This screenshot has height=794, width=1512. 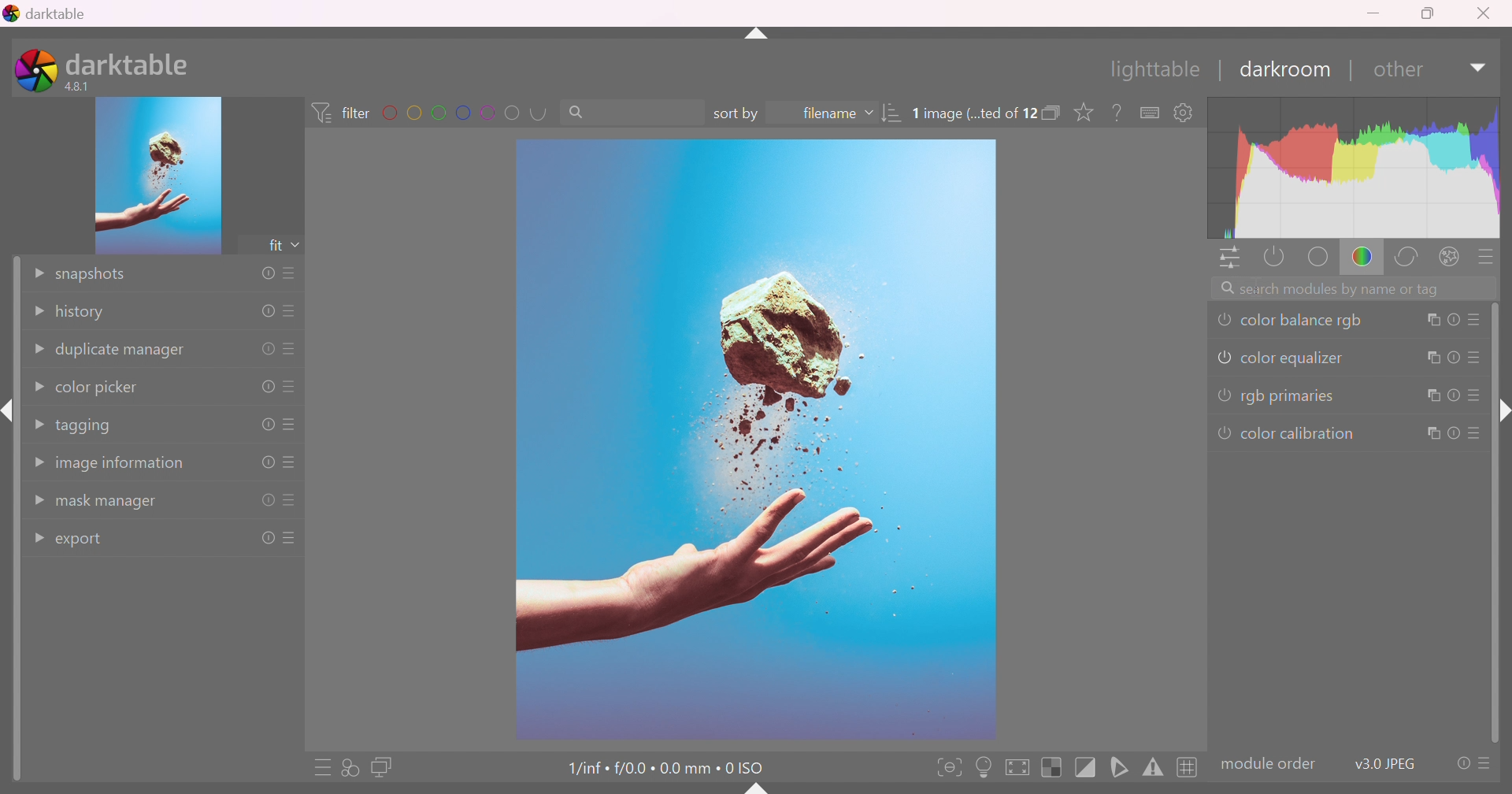 I want to click on Drop Down, so click(x=35, y=500).